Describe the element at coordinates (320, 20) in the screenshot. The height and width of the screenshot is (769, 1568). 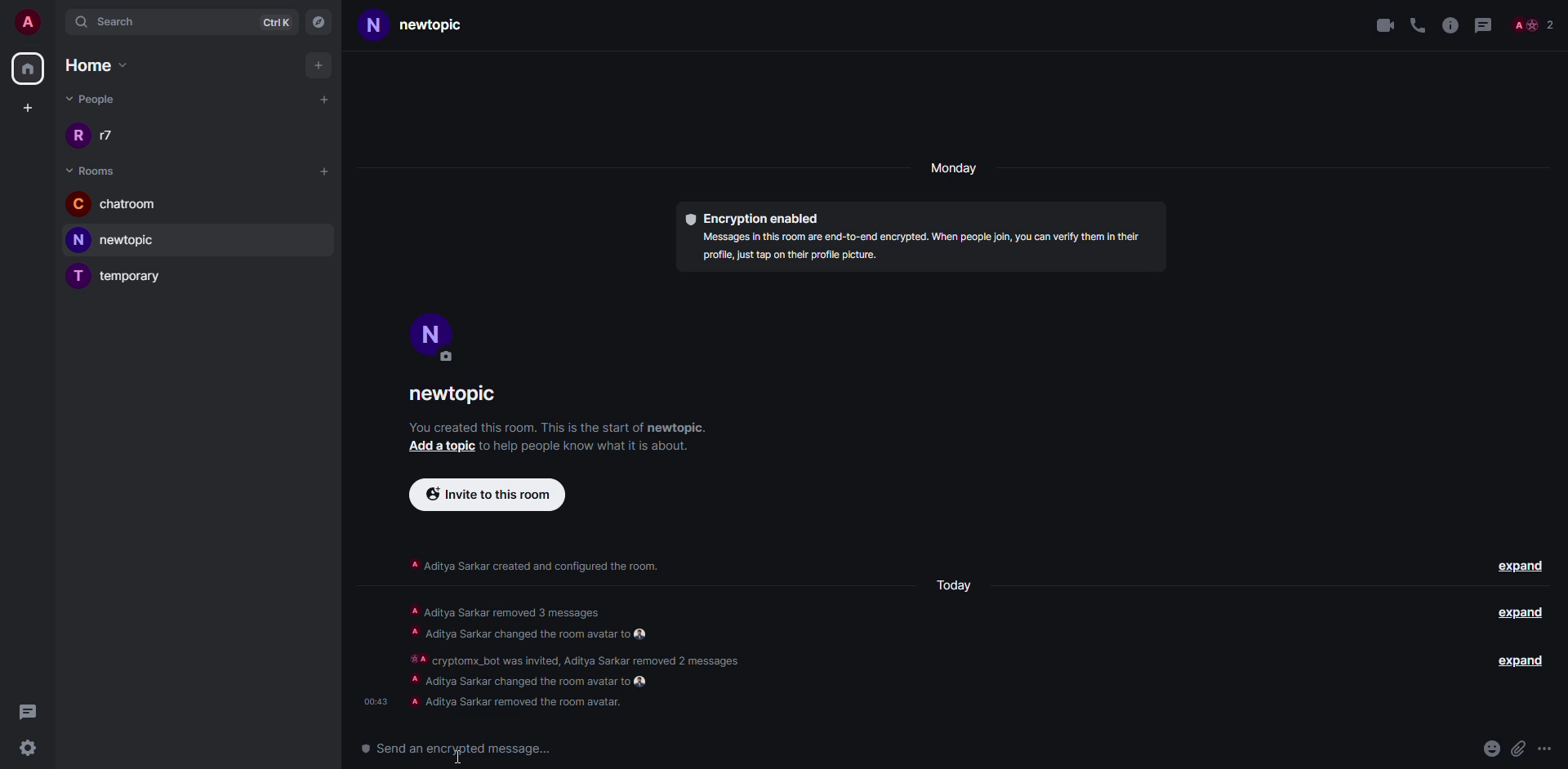
I see `navigator` at that location.